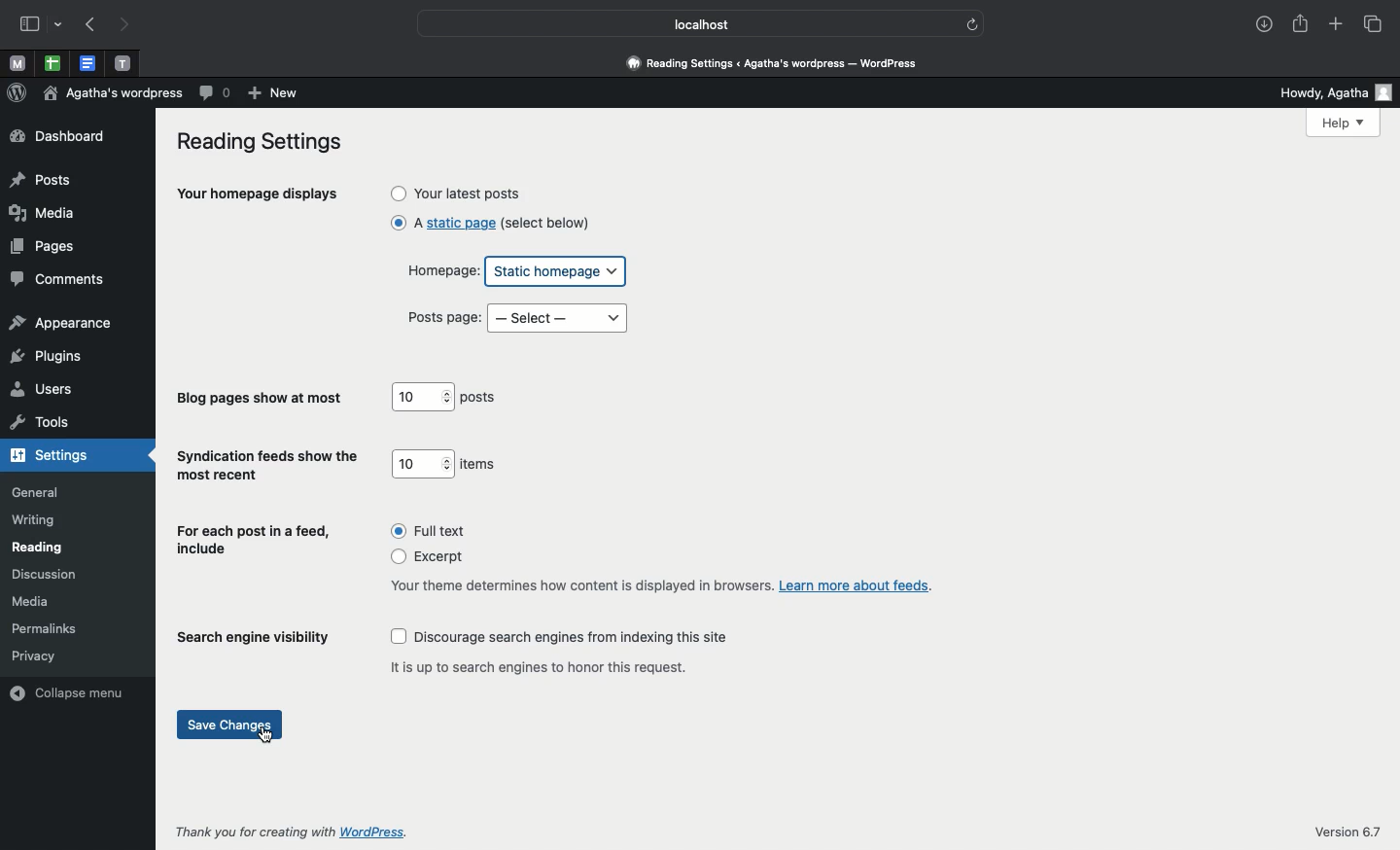 This screenshot has height=850, width=1400. I want to click on Howdy user, so click(1326, 91).